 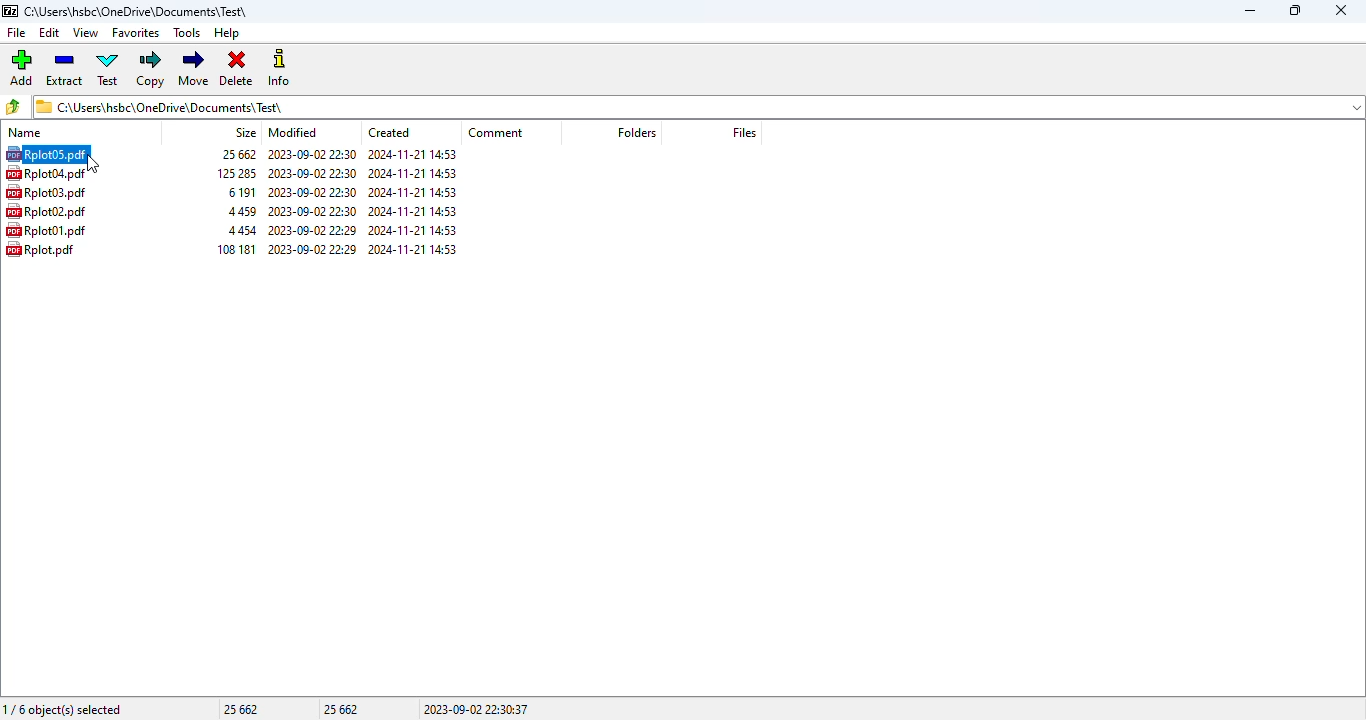 What do you see at coordinates (46, 211) in the screenshot?
I see `rplot02` at bounding box center [46, 211].